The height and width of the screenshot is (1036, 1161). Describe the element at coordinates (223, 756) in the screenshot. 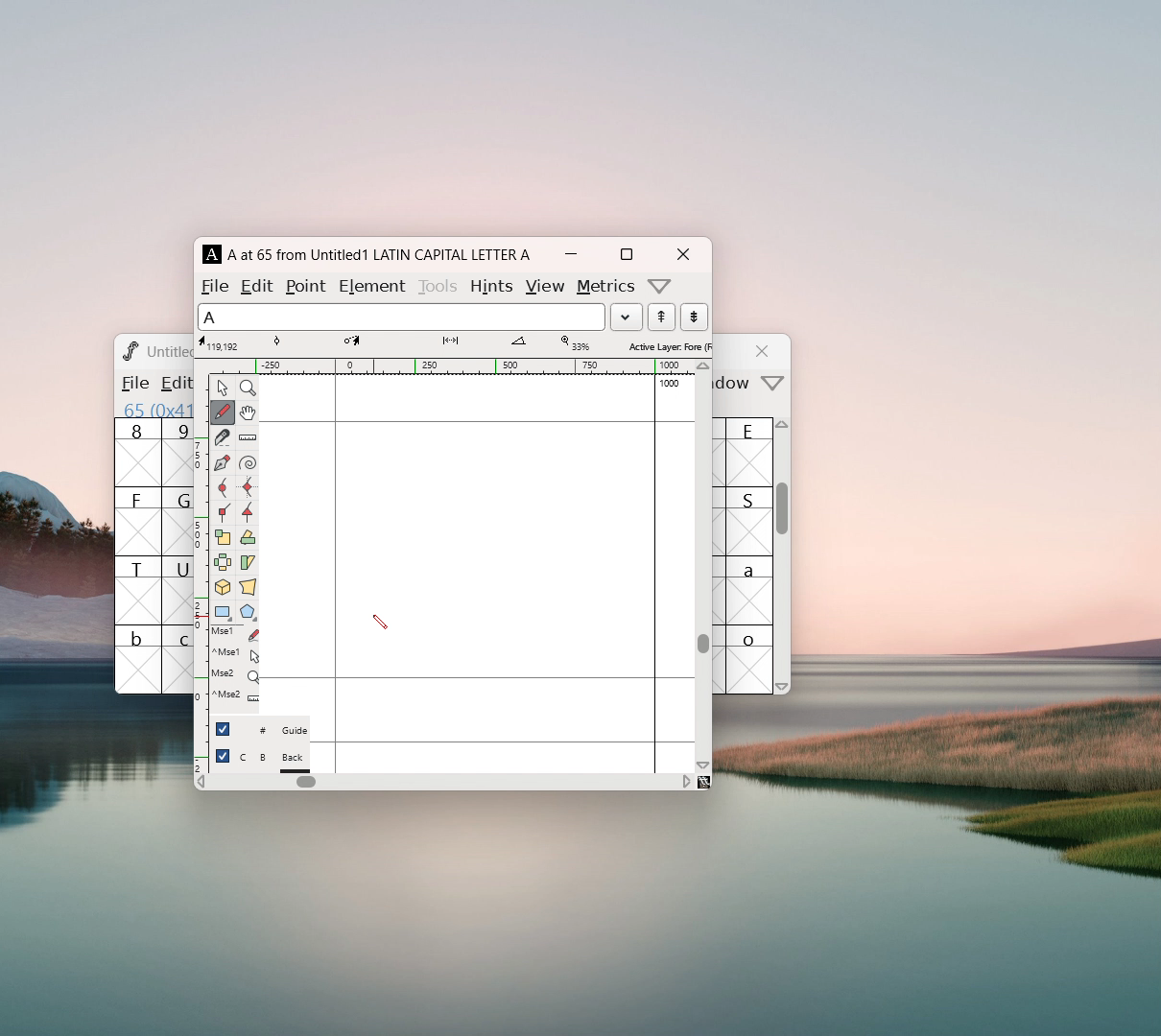

I see `checkbox` at that location.